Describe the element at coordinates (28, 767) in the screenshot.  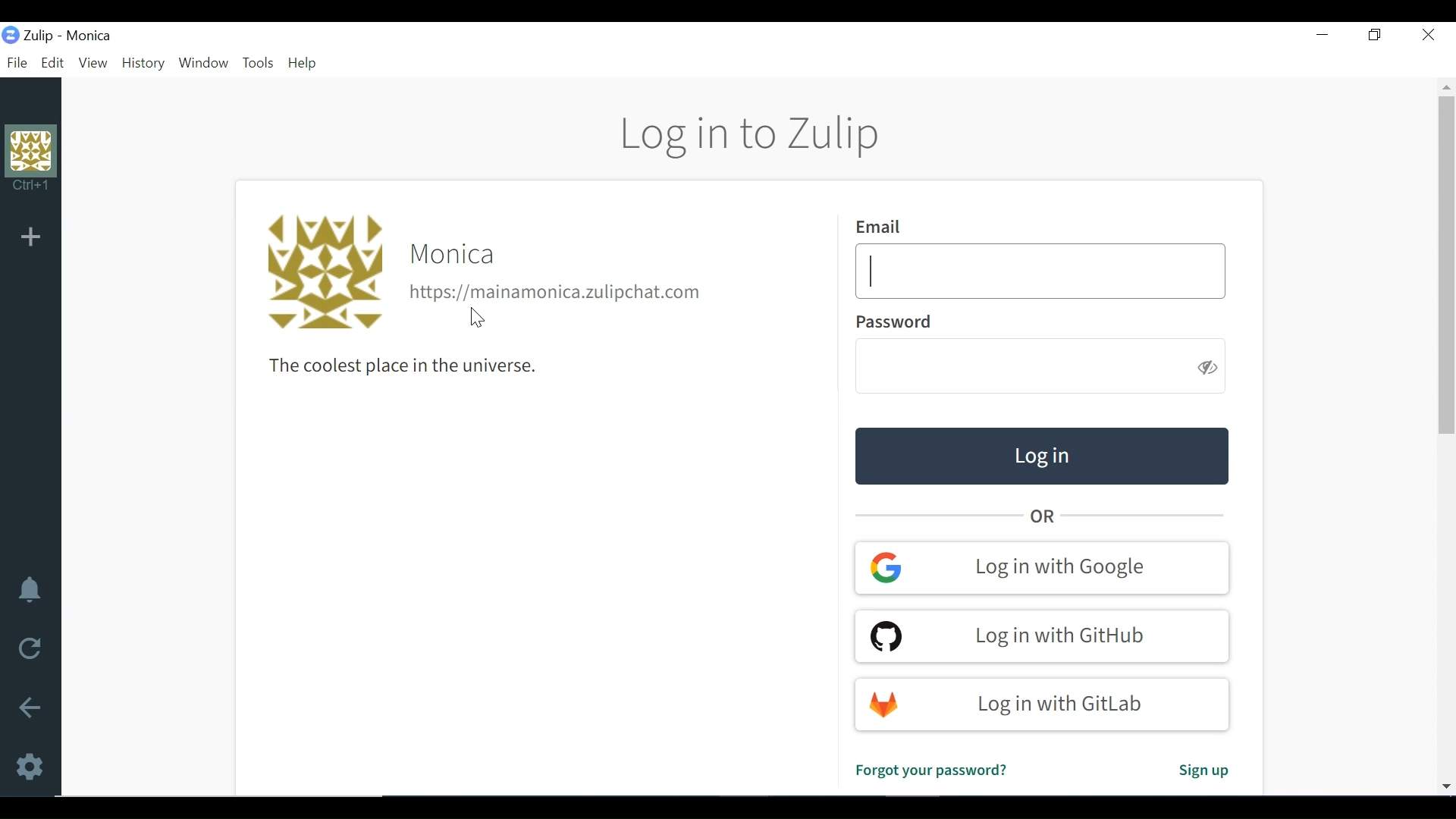
I see `Settings` at that location.